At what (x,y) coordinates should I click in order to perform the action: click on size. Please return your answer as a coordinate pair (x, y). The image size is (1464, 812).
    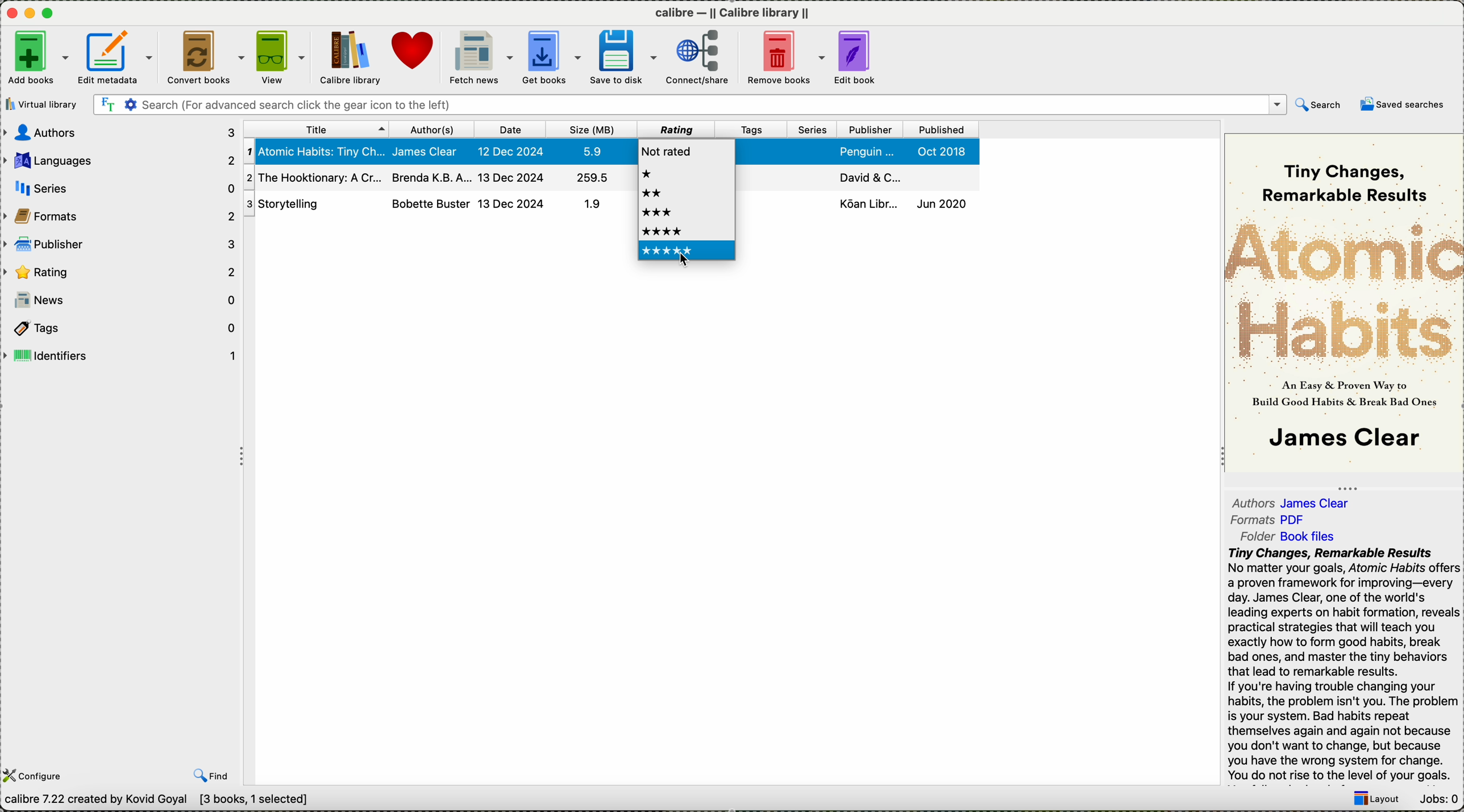
    Looking at the image, I should click on (590, 129).